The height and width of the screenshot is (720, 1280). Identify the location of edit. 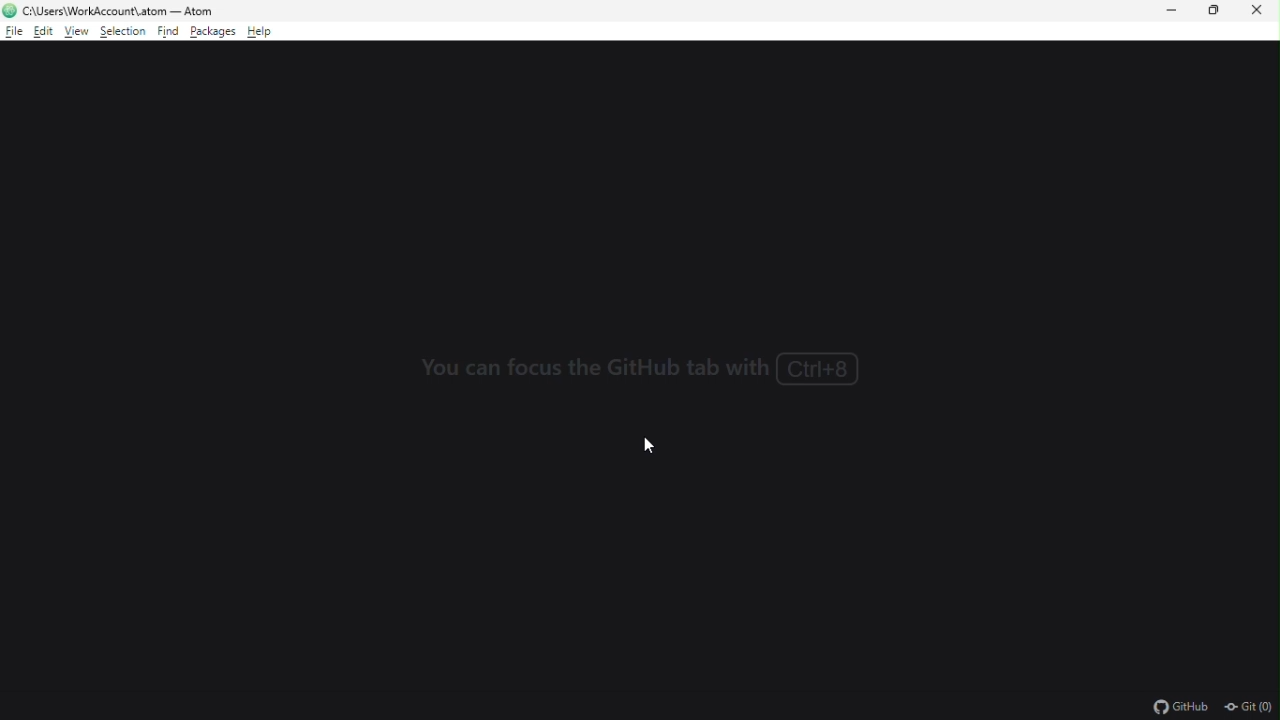
(45, 32).